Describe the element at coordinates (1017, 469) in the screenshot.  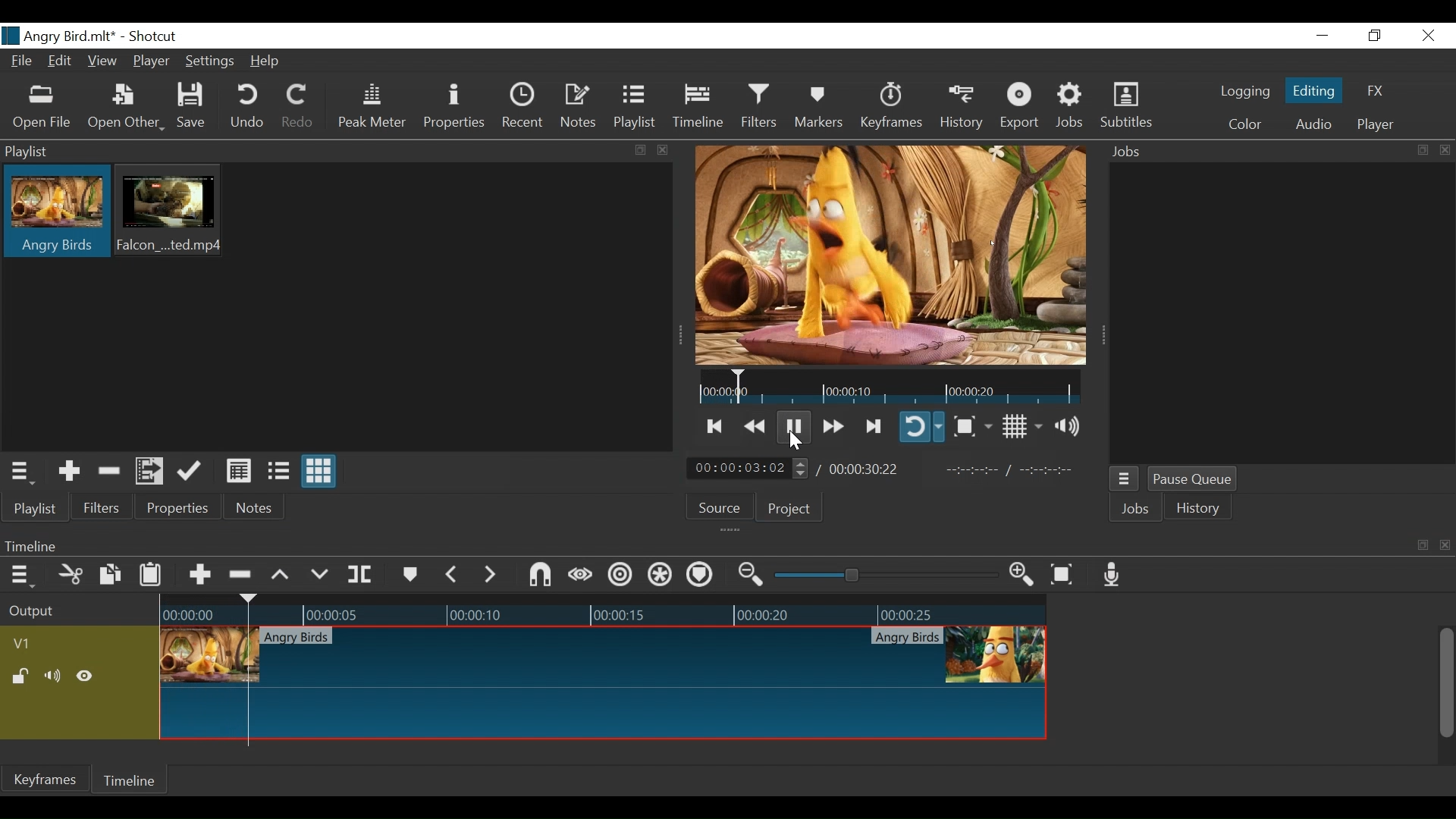
I see `In point` at that location.